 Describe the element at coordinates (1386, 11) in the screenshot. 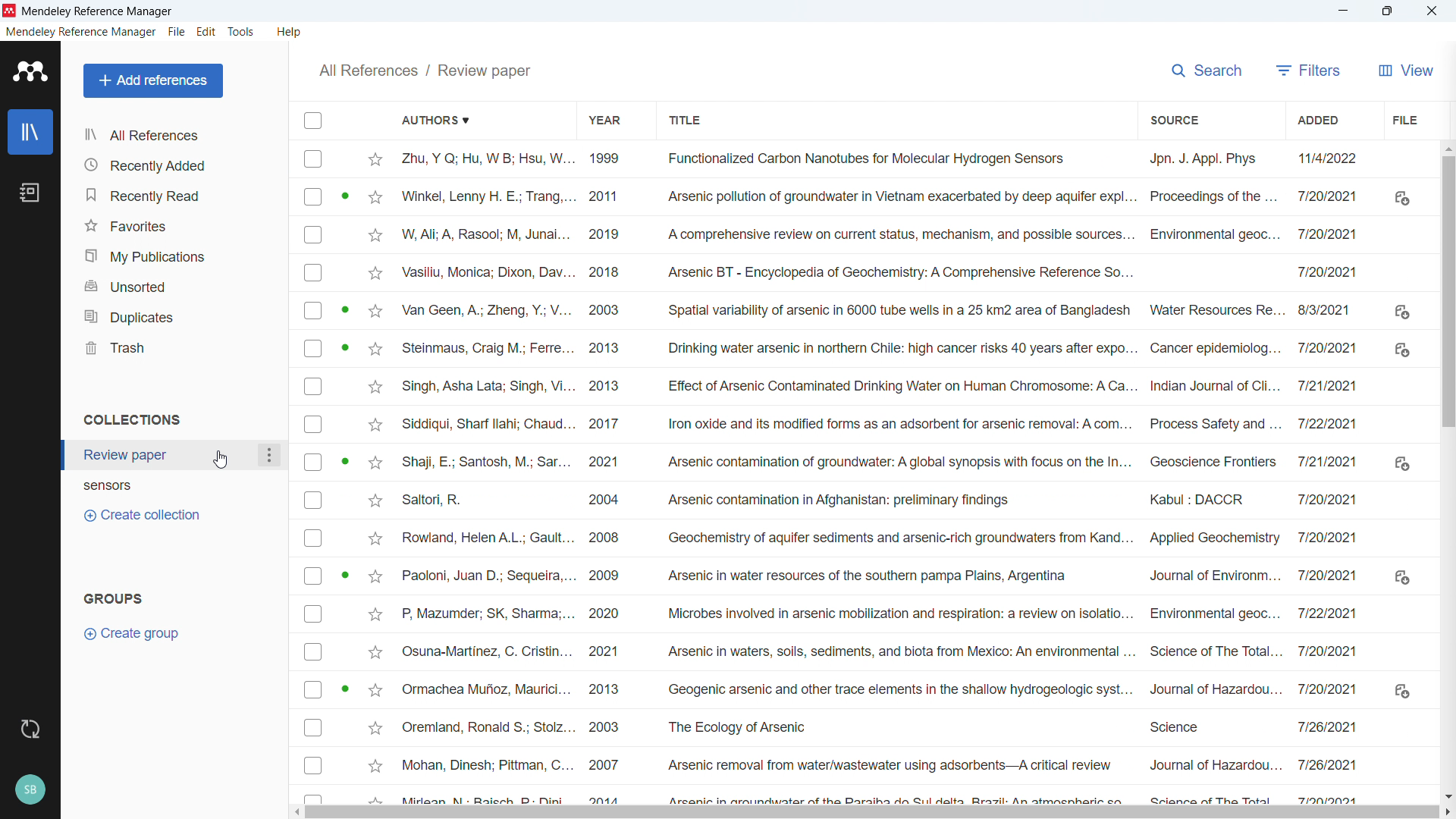

I see `Maximise ` at that location.